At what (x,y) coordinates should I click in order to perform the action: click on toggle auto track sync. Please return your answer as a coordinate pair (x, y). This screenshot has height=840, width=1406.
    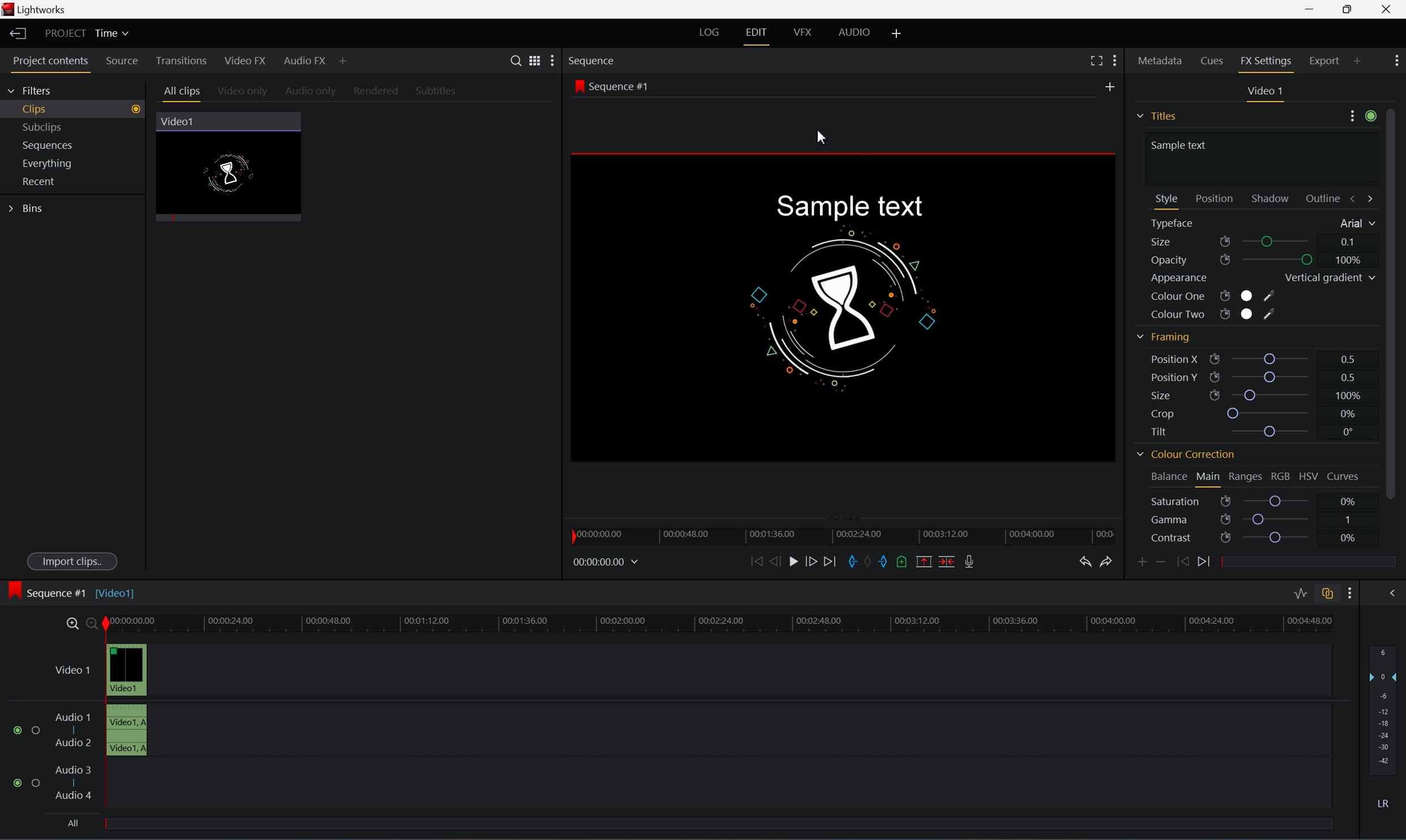
    Looking at the image, I should click on (1327, 594).